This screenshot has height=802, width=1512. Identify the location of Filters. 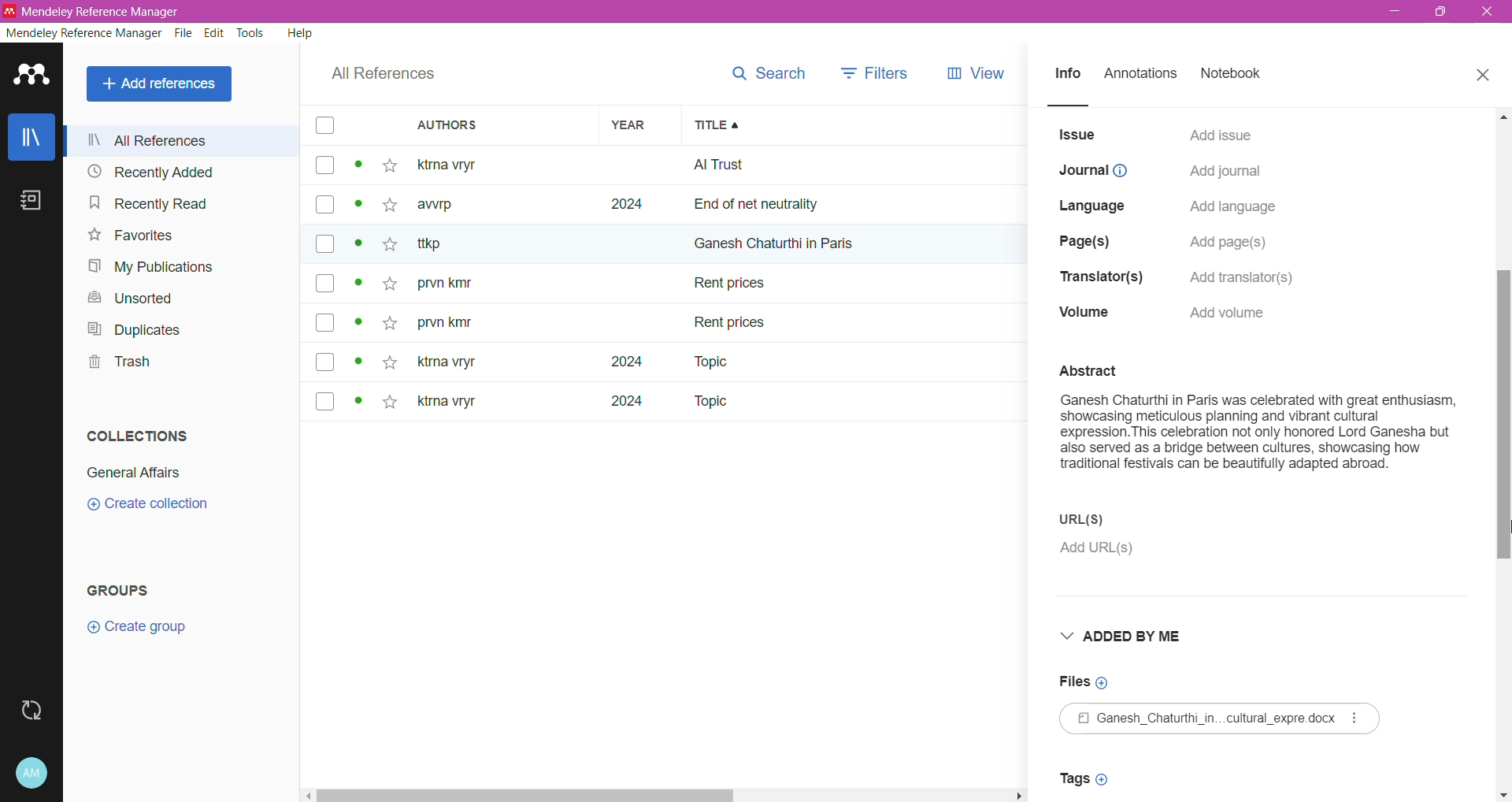
(876, 69).